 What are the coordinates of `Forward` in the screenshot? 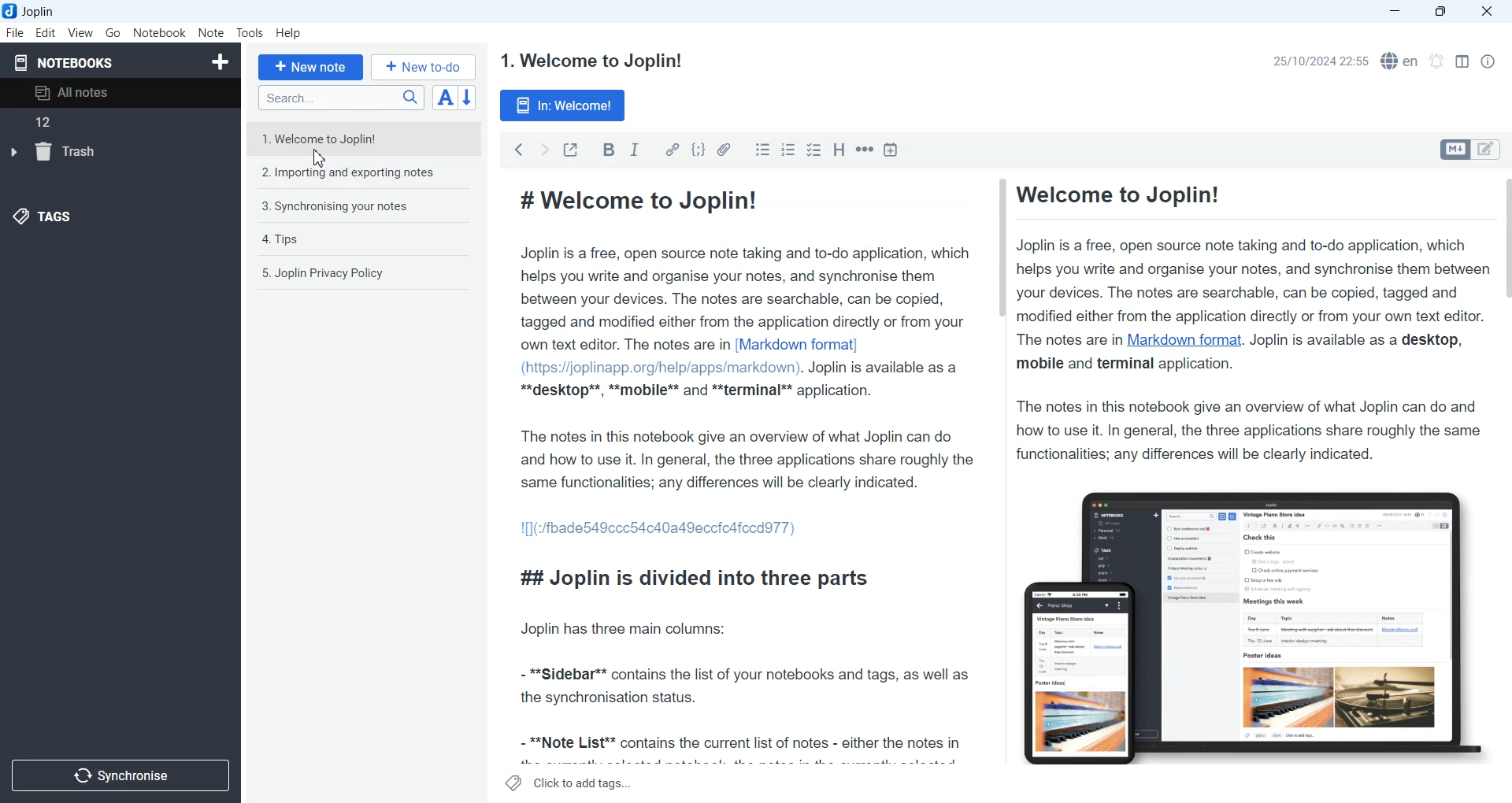 It's located at (544, 149).